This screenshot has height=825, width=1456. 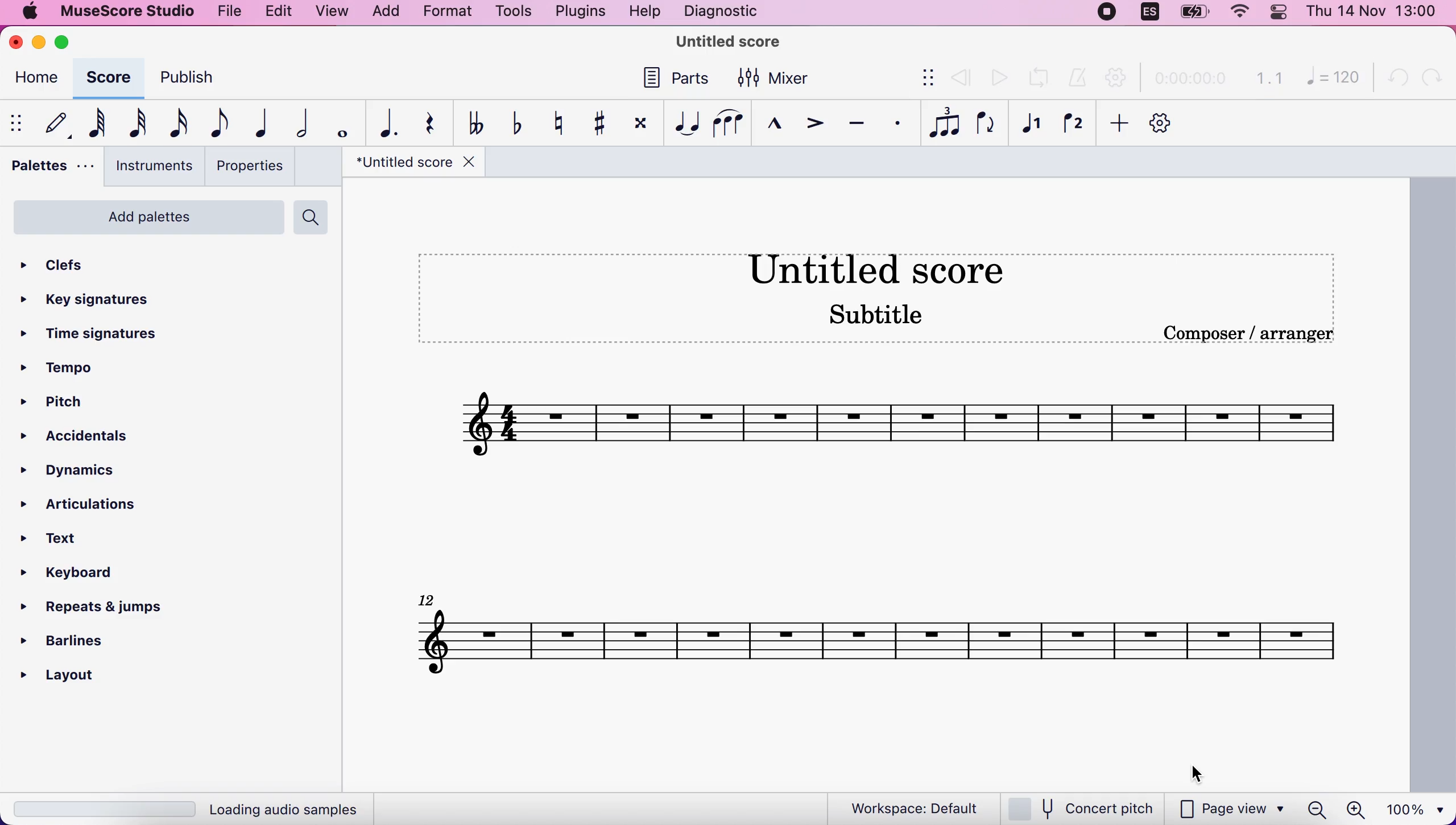 What do you see at coordinates (279, 13) in the screenshot?
I see `edit` at bounding box center [279, 13].